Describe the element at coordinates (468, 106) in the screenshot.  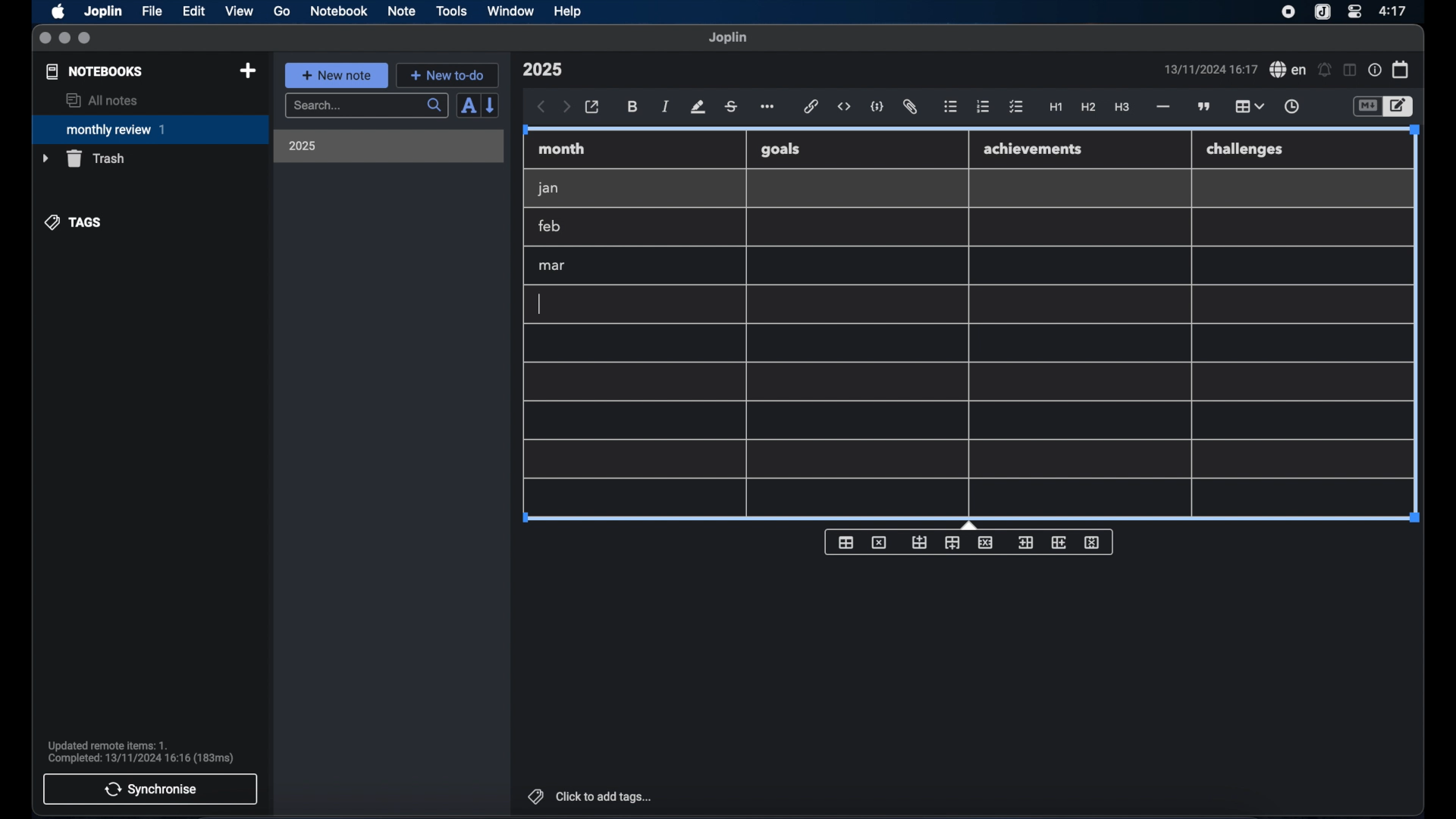
I see `sort order field` at that location.